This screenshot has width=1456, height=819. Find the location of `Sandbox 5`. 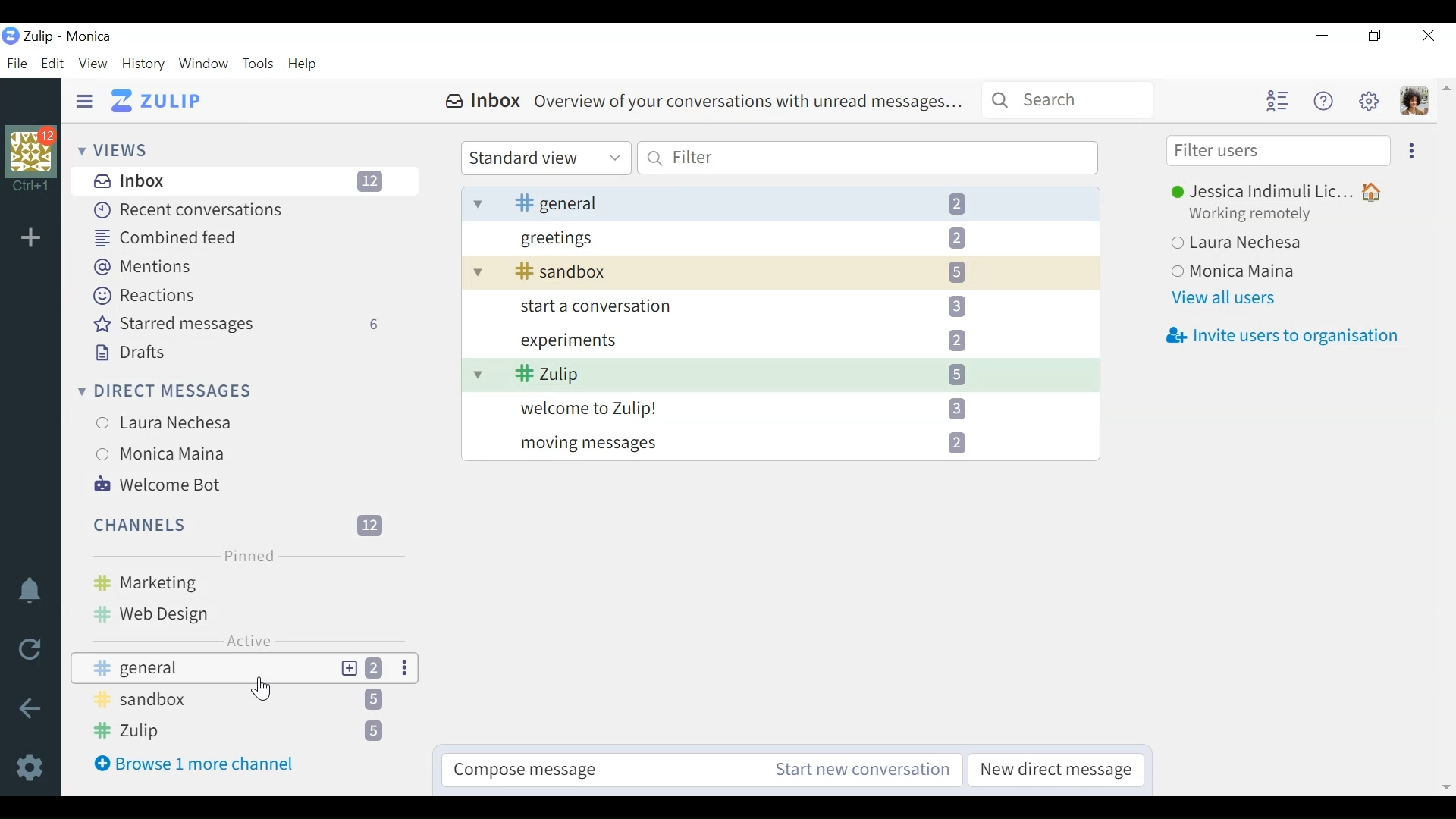

Sandbox 5 is located at coordinates (242, 701).